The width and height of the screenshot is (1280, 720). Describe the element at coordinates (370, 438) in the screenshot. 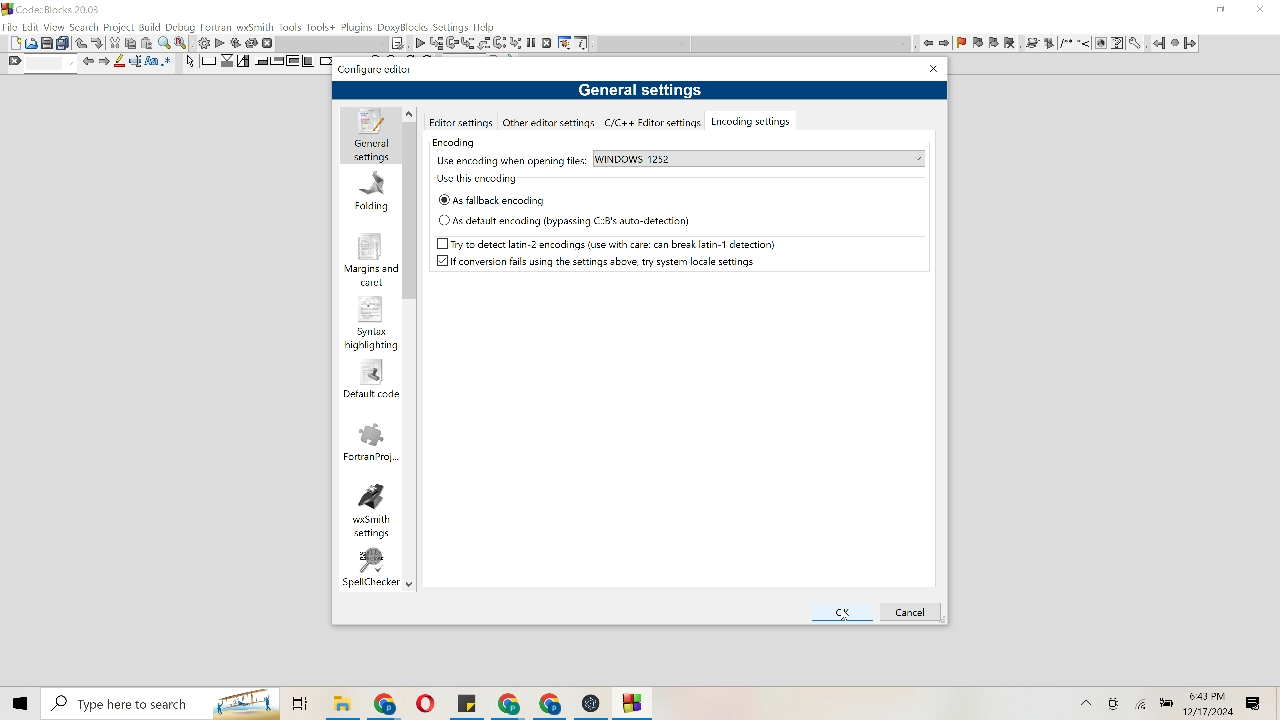

I see `Fortran project` at that location.